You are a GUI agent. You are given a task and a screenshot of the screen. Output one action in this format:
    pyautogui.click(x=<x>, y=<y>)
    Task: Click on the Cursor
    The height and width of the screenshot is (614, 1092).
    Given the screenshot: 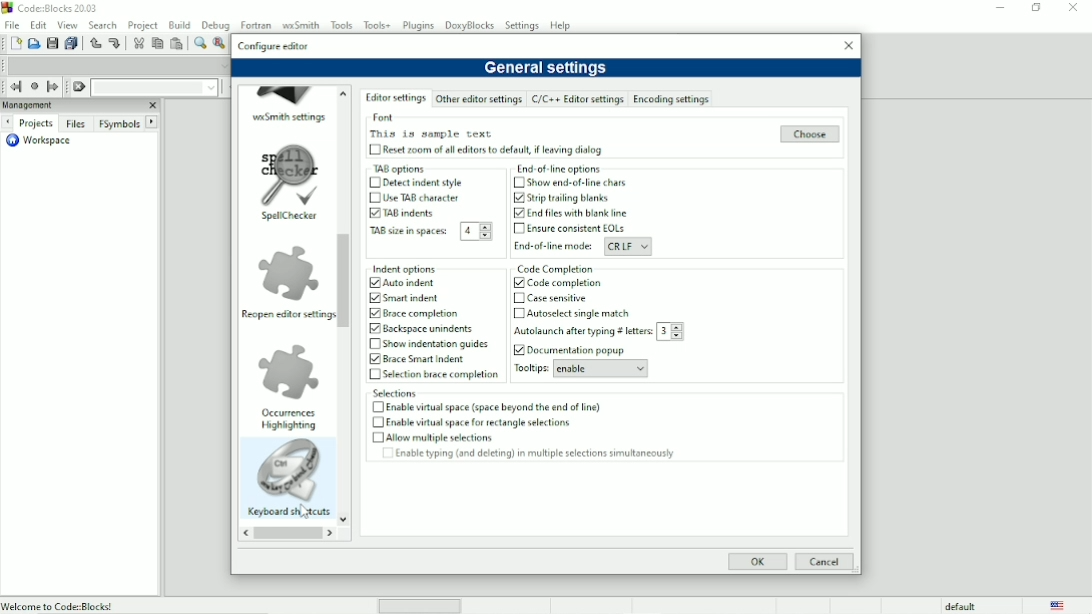 What is the action you would take?
    pyautogui.click(x=303, y=511)
    